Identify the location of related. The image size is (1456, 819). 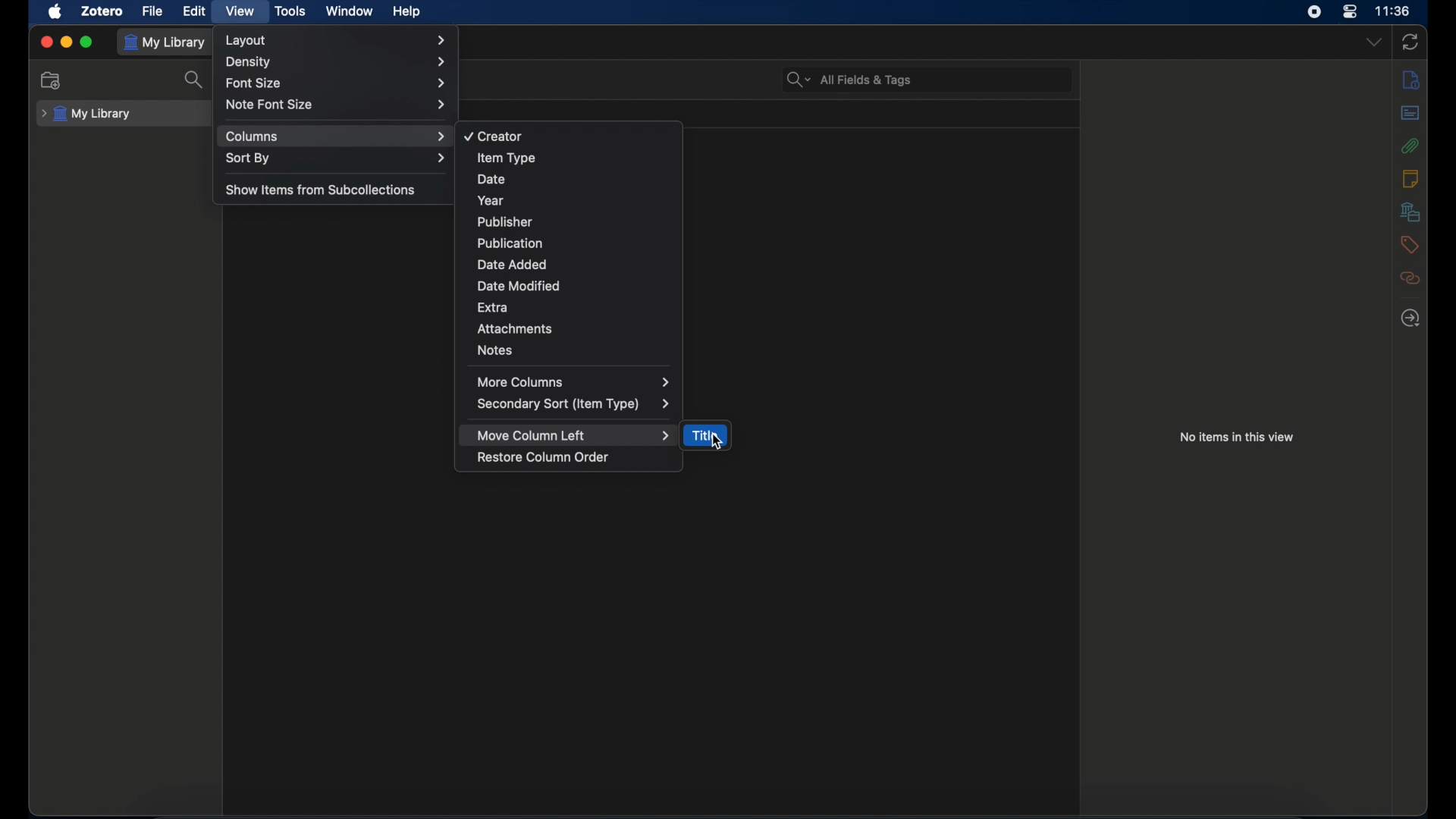
(1410, 278).